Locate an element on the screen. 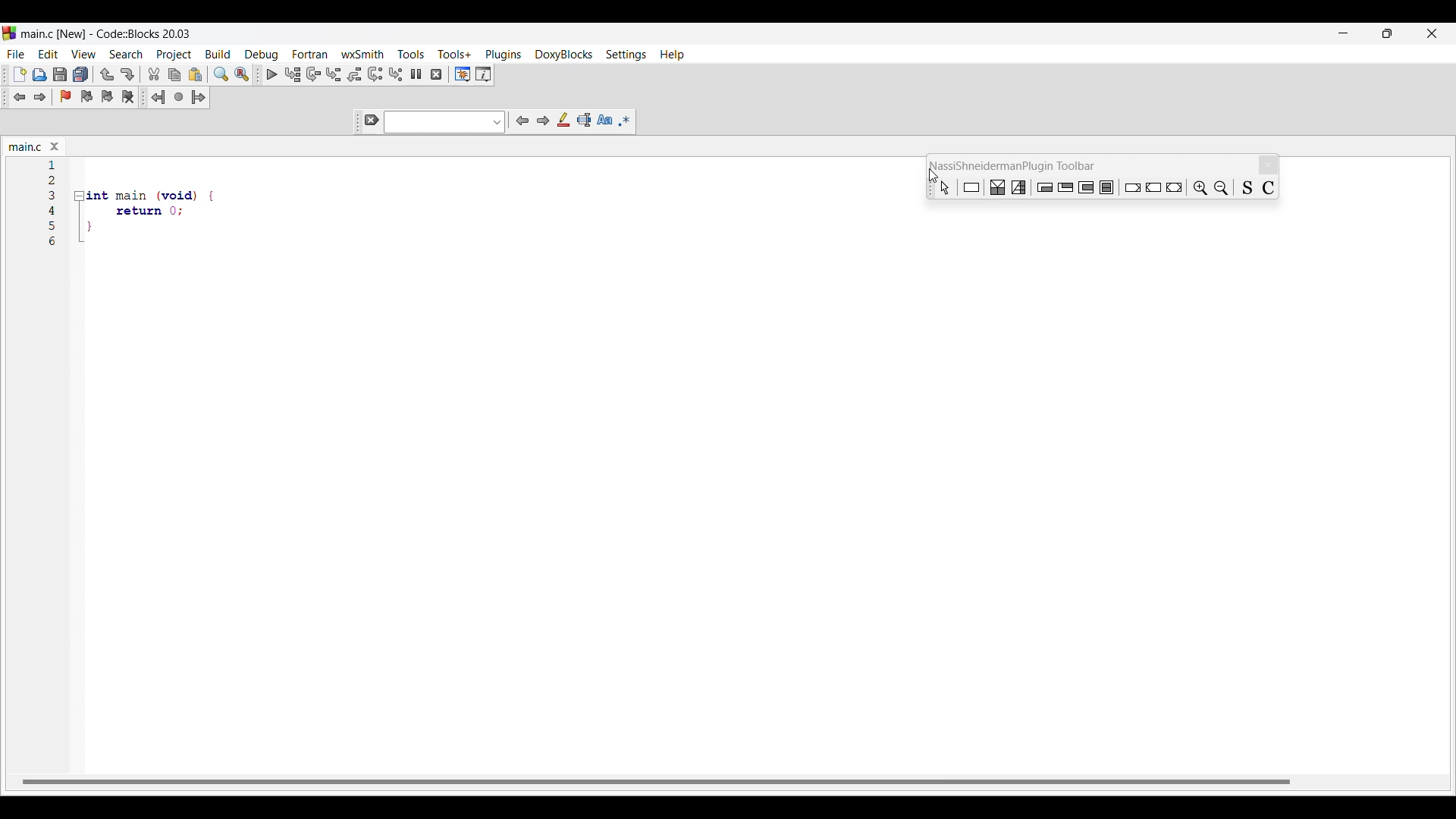 This screenshot has width=1456, height=819.  is located at coordinates (1247, 187).